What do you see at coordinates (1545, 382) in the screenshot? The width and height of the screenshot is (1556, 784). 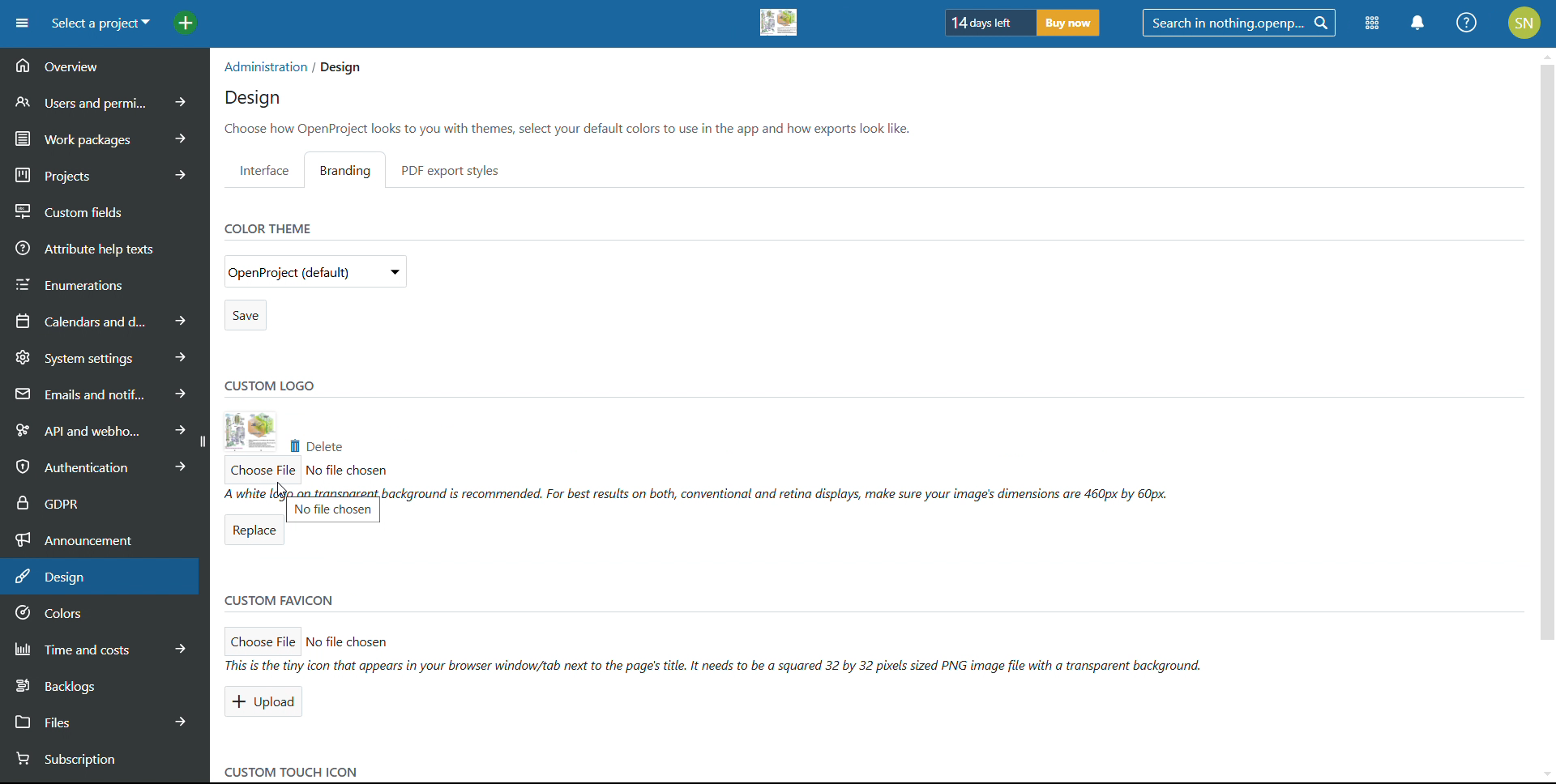 I see `vertical scroll bar` at bounding box center [1545, 382].